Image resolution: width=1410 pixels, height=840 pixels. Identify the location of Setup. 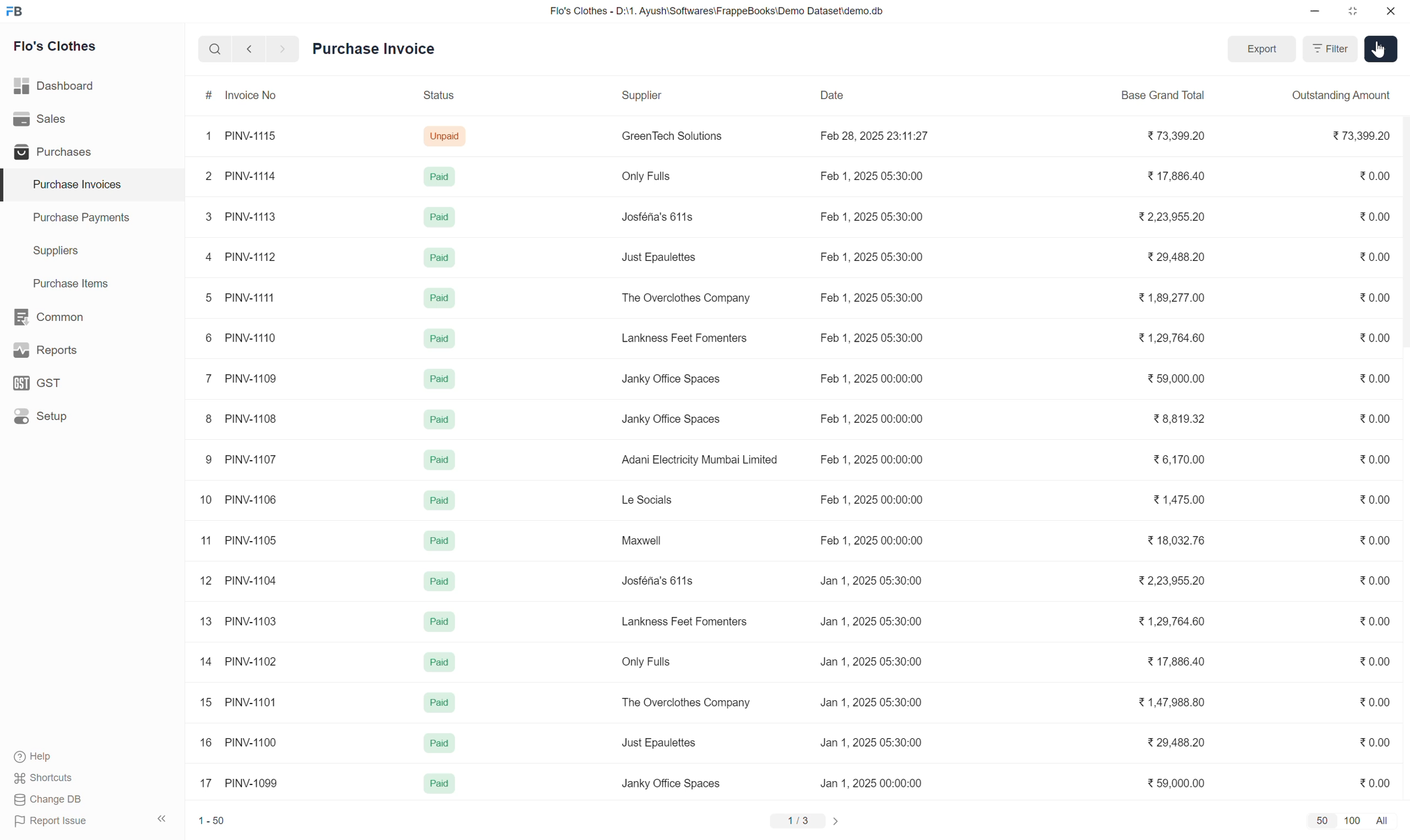
(41, 417).